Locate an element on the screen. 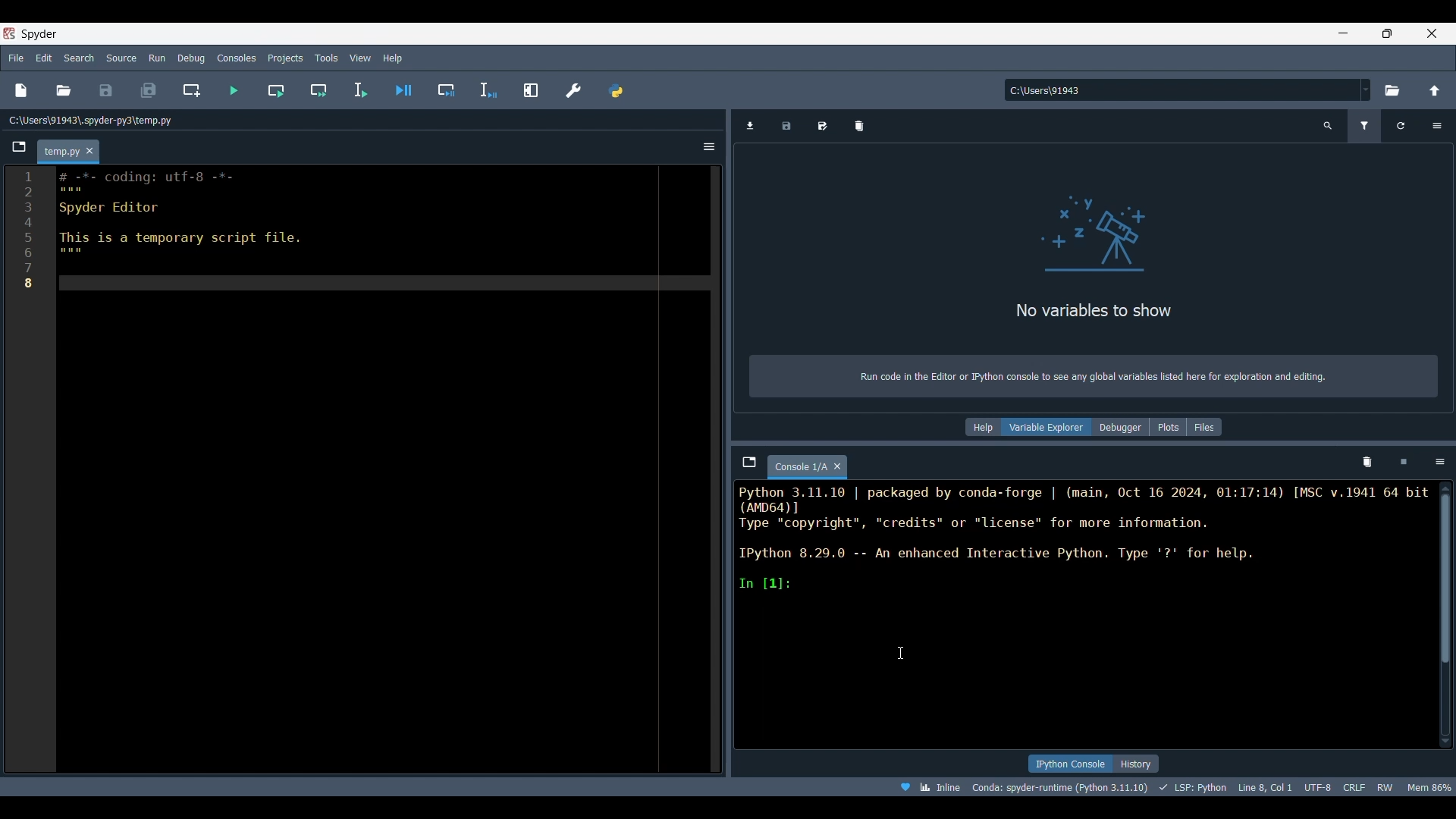 Image resolution: width=1456 pixels, height=819 pixels. Debug file is located at coordinates (404, 90).